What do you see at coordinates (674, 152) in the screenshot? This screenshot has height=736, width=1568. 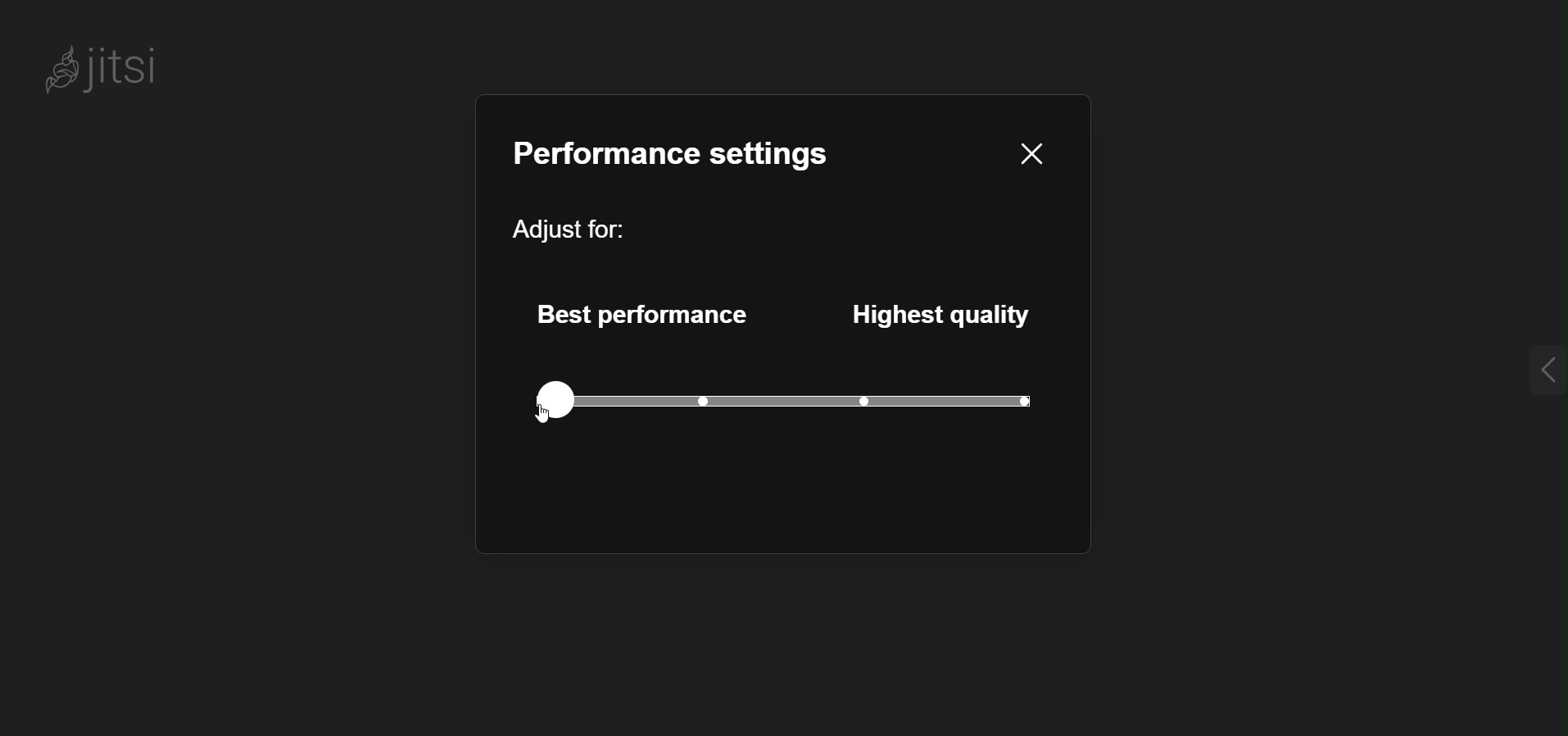 I see `performance setting` at bounding box center [674, 152].